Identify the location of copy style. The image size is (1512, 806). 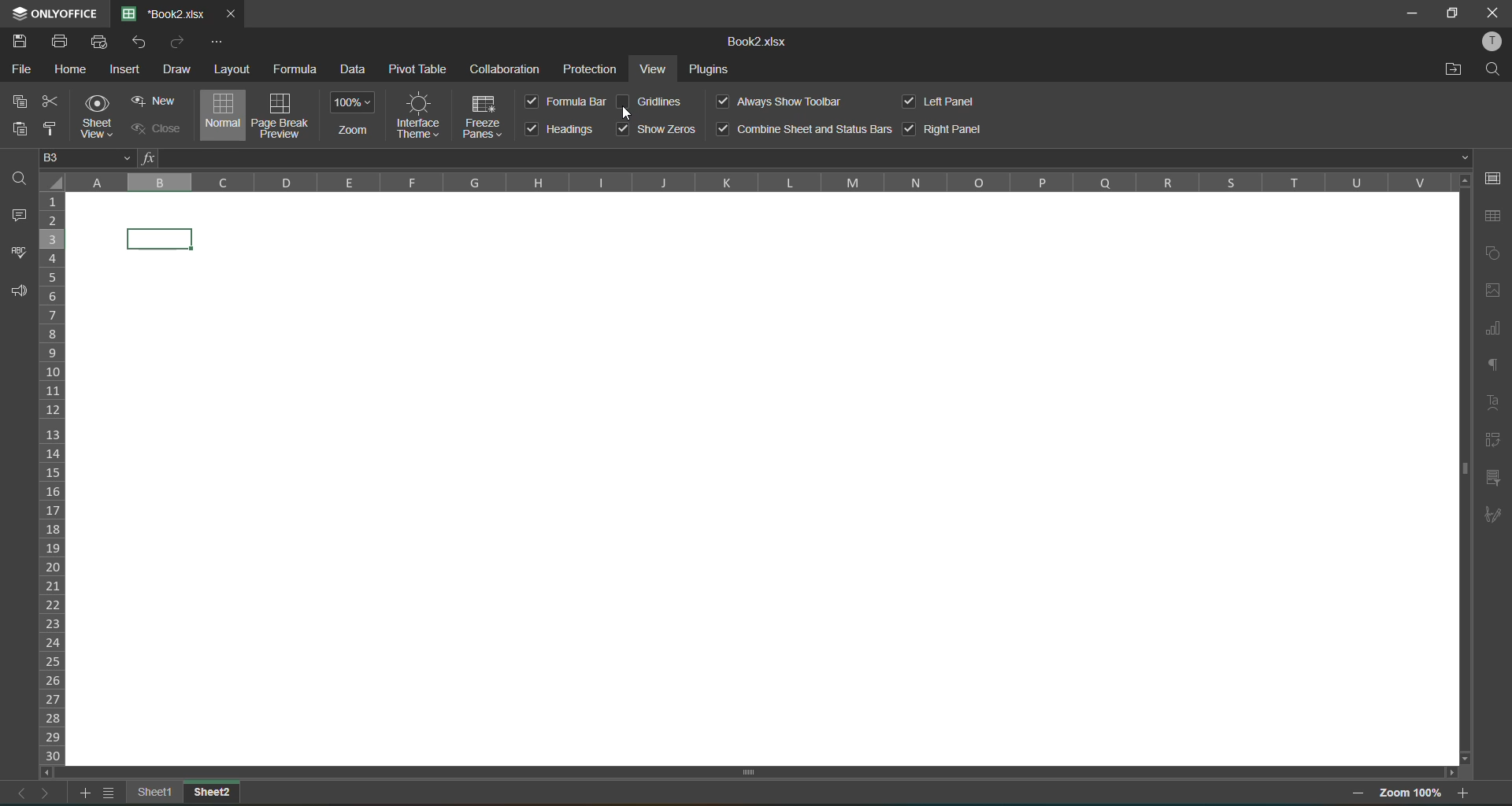
(49, 128).